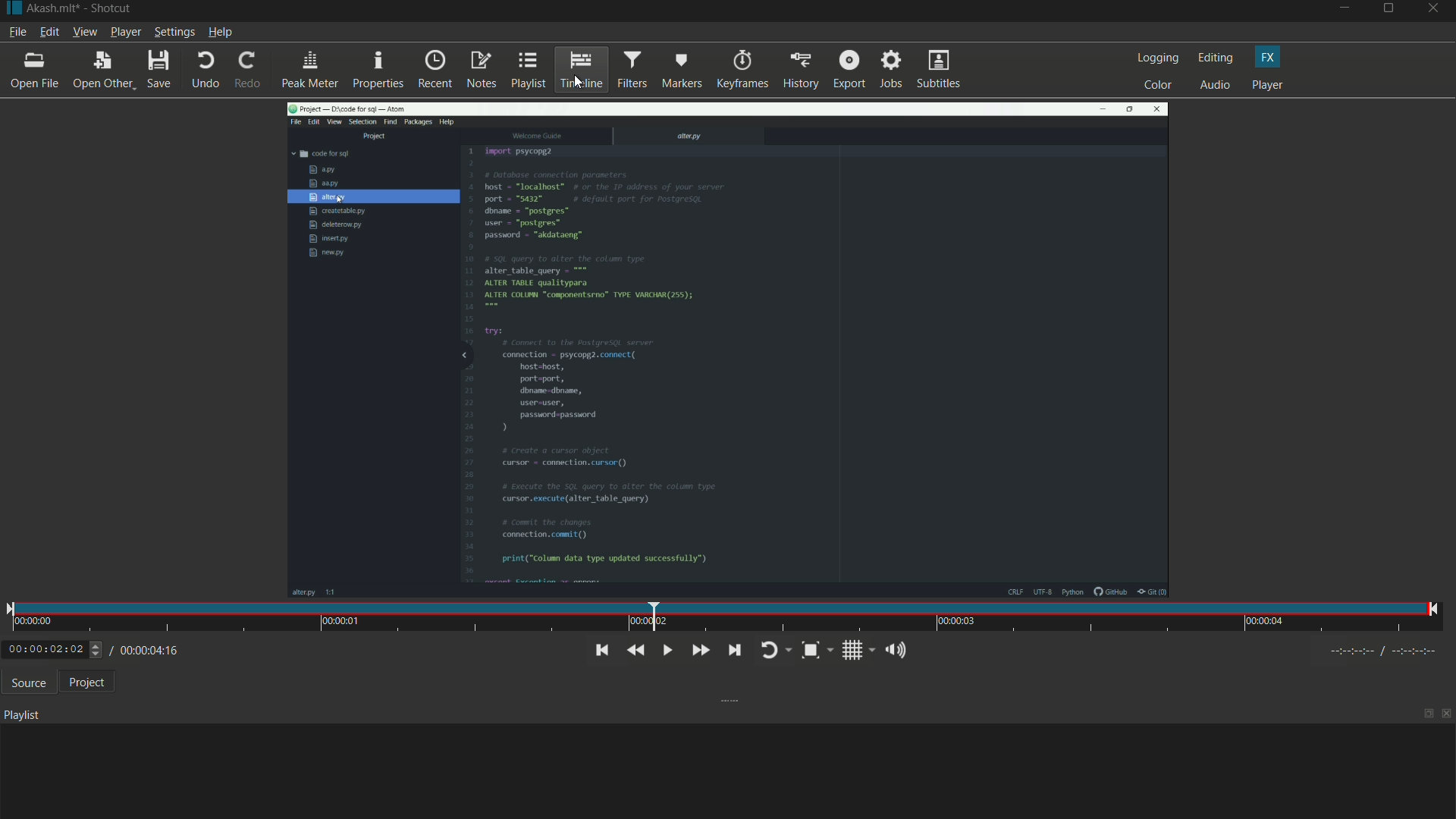 The width and height of the screenshot is (1456, 819). What do you see at coordinates (244, 70) in the screenshot?
I see `redo` at bounding box center [244, 70].